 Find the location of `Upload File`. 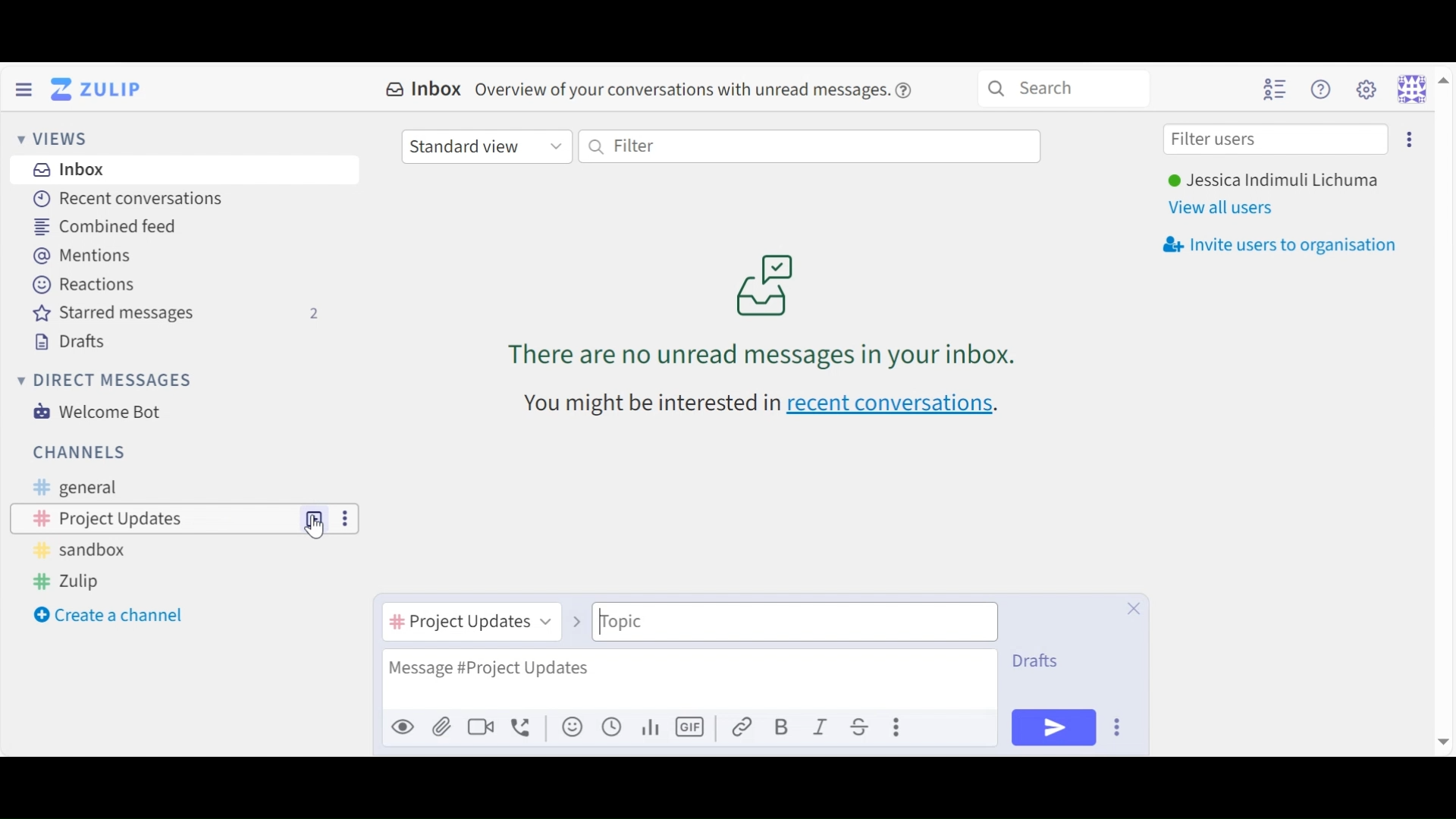

Upload File is located at coordinates (440, 726).